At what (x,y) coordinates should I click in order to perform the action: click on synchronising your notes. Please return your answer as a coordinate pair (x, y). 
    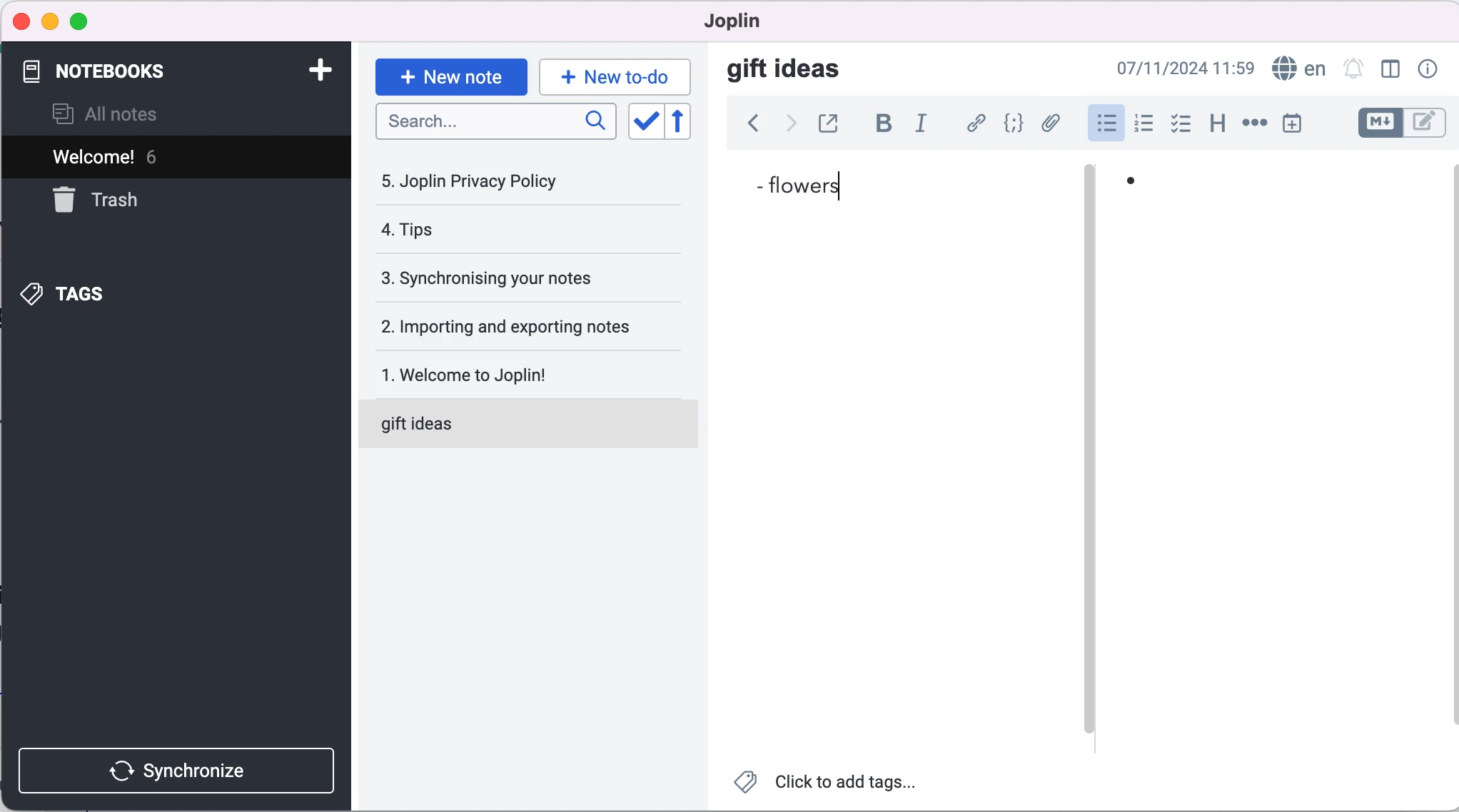
    Looking at the image, I should click on (519, 276).